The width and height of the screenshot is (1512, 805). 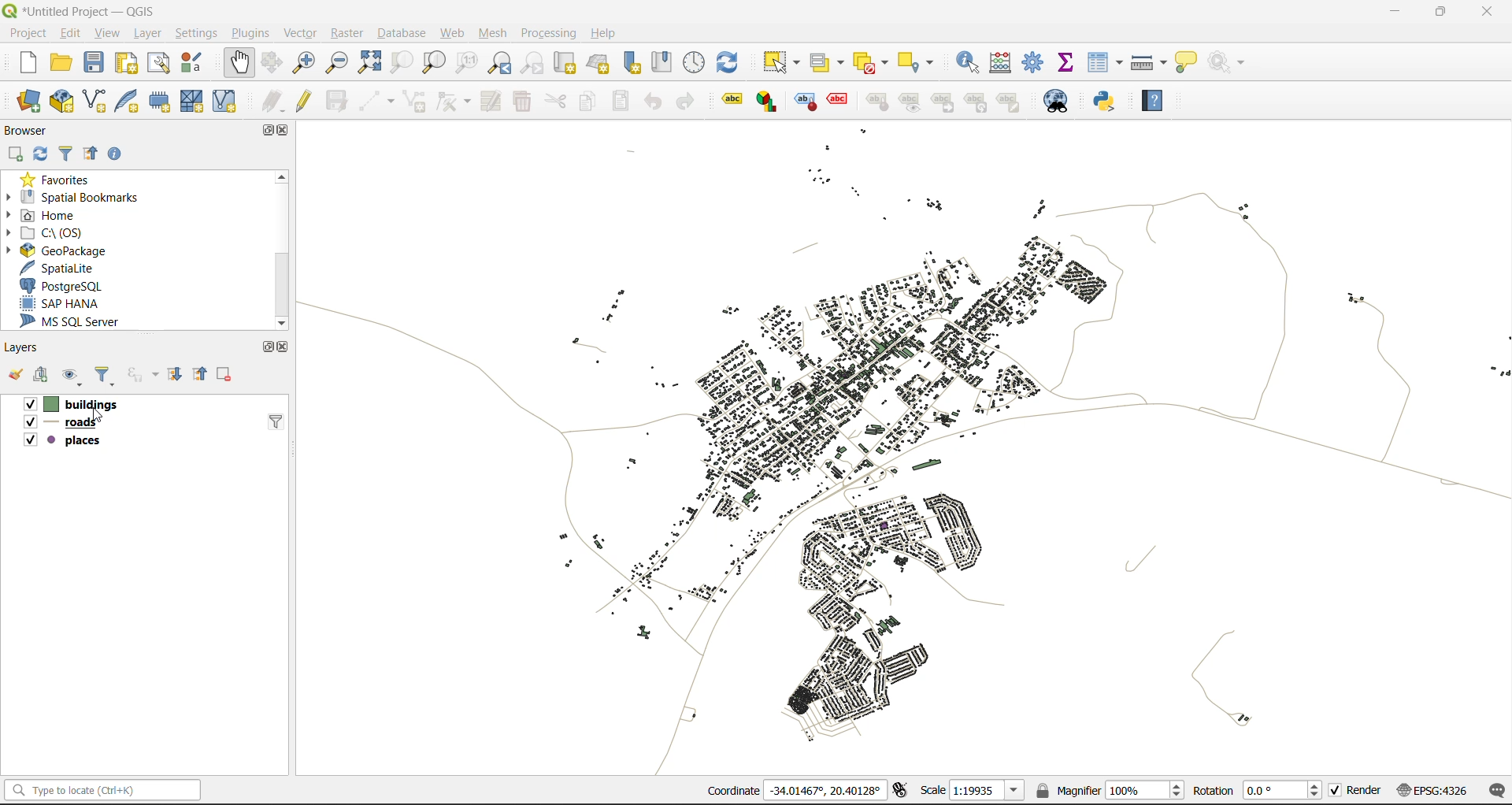 I want to click on close, so click(x=288, y=132).